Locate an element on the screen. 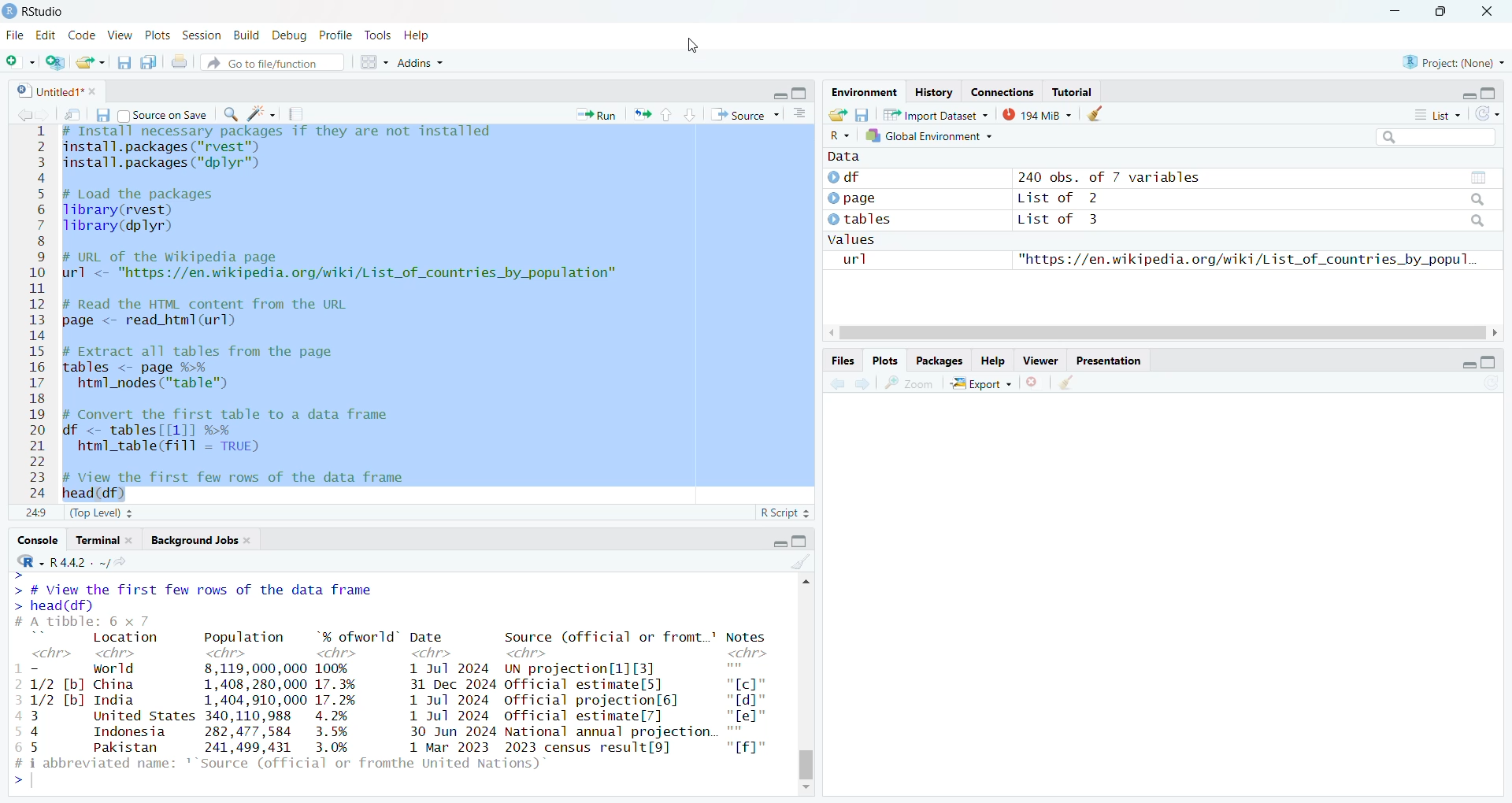 This screenshot has width=1512, height=803. R is located at coordinates (839, 136).